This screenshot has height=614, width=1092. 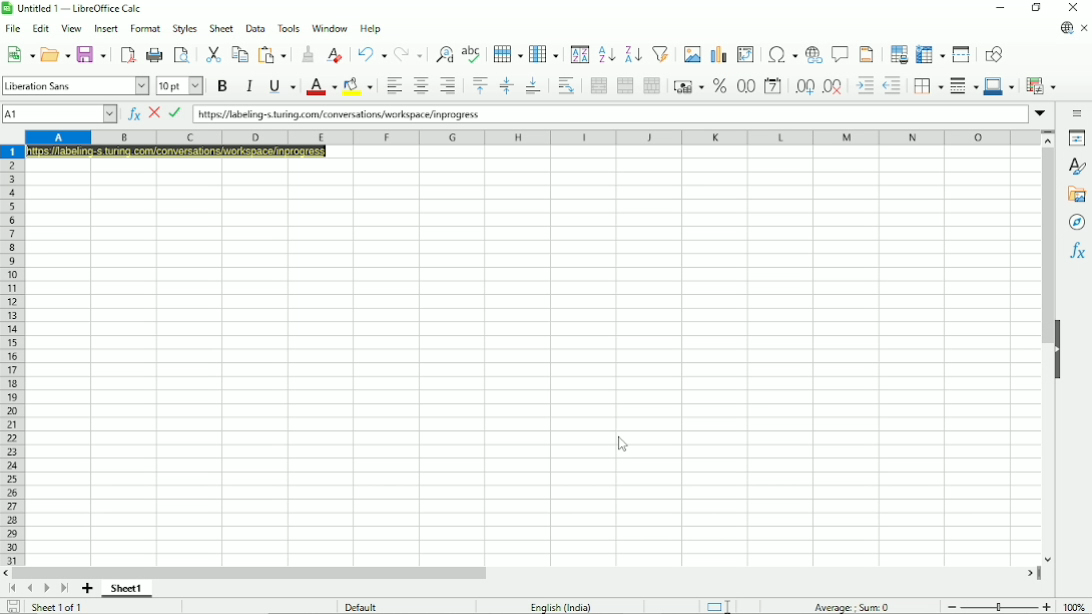 What do you see at coordinates (1067, 28) in the screenshot?
I see `Update available` at bounding box center [1067, 28].